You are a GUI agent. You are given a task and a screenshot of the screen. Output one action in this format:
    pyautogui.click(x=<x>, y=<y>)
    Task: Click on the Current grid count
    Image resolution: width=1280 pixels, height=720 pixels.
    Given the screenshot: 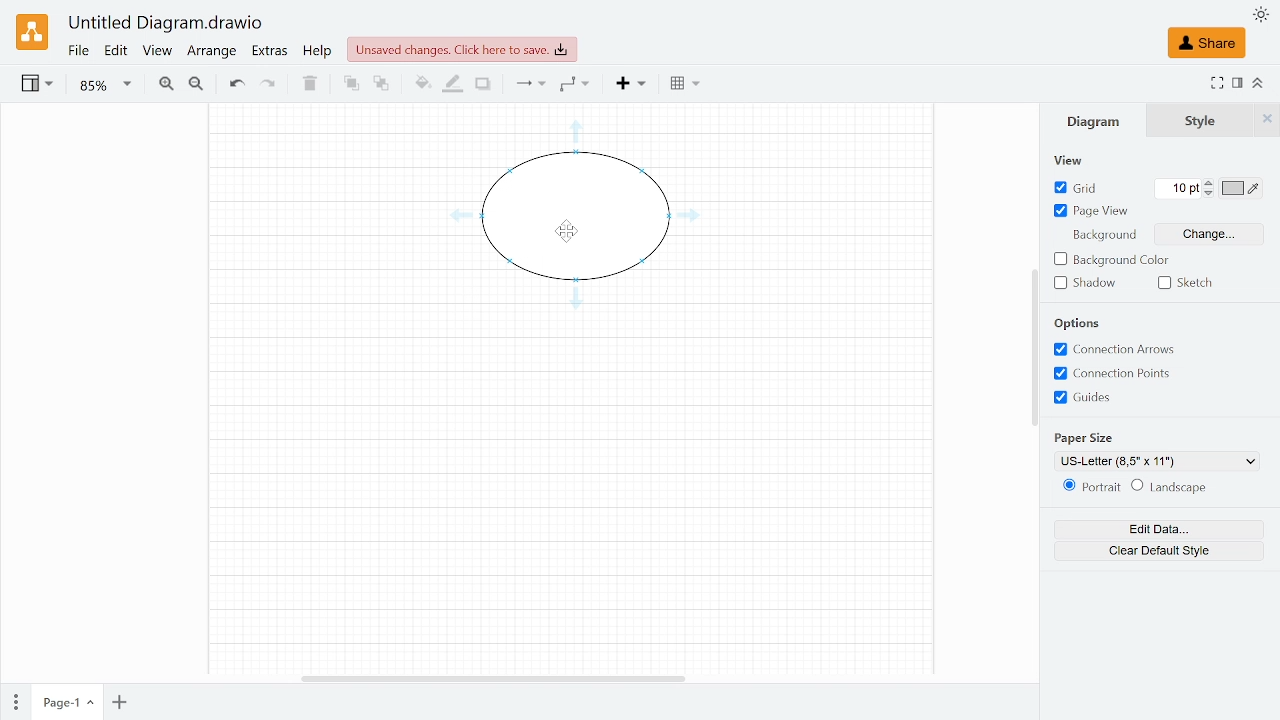 What is the action you would take?
    pyautogui.click(x=1178, y=189)
    